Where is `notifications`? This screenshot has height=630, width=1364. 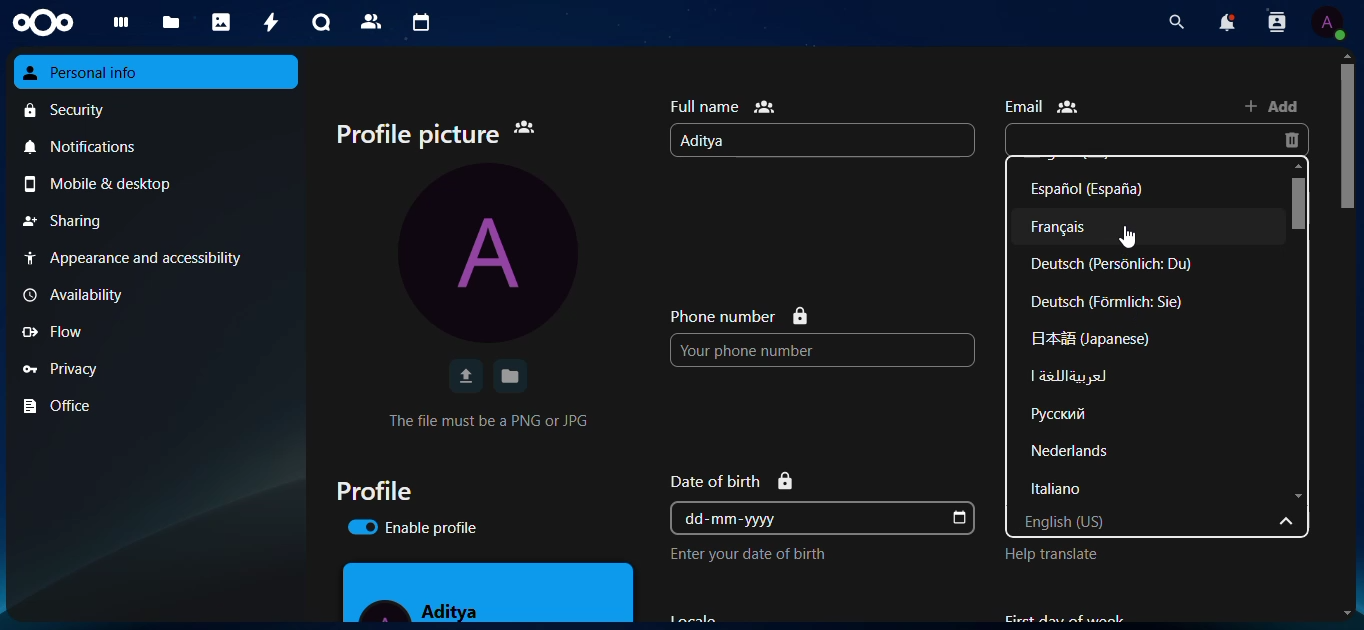 notifications is located at coordinates (90, 149).